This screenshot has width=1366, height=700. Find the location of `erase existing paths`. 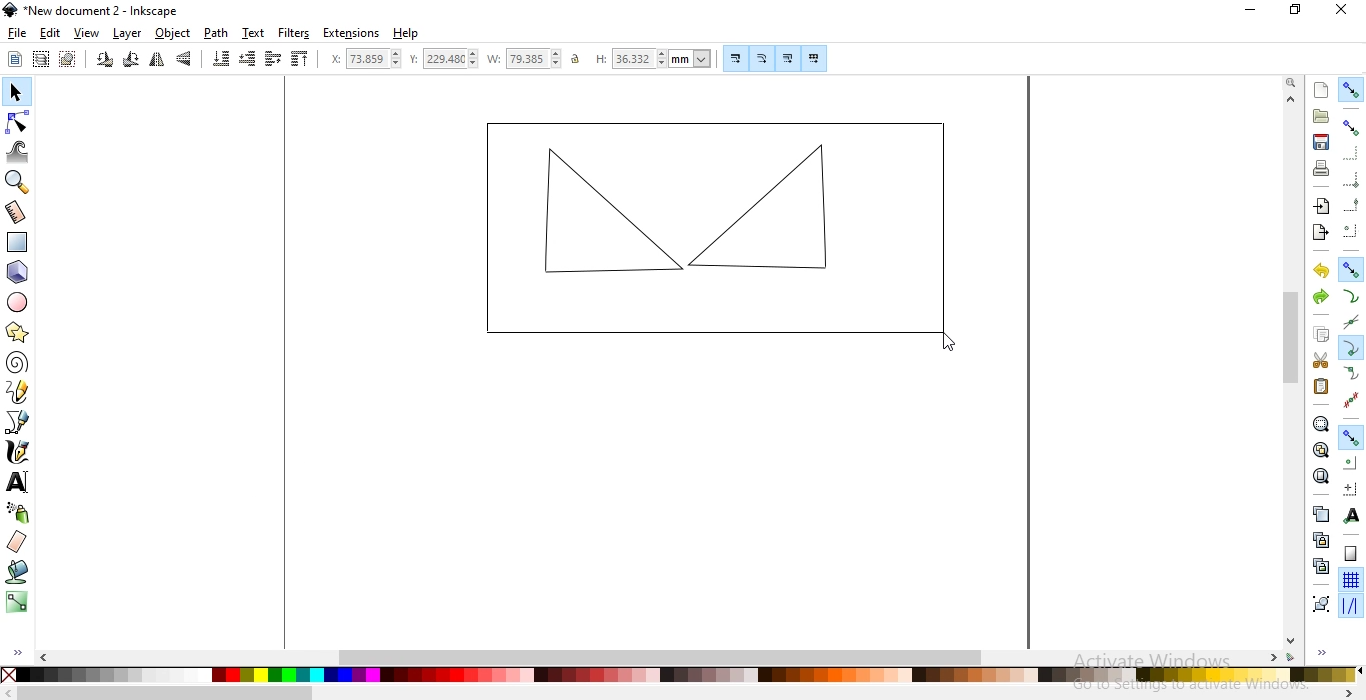

erase existing paths is located at coordinates (18, 542).